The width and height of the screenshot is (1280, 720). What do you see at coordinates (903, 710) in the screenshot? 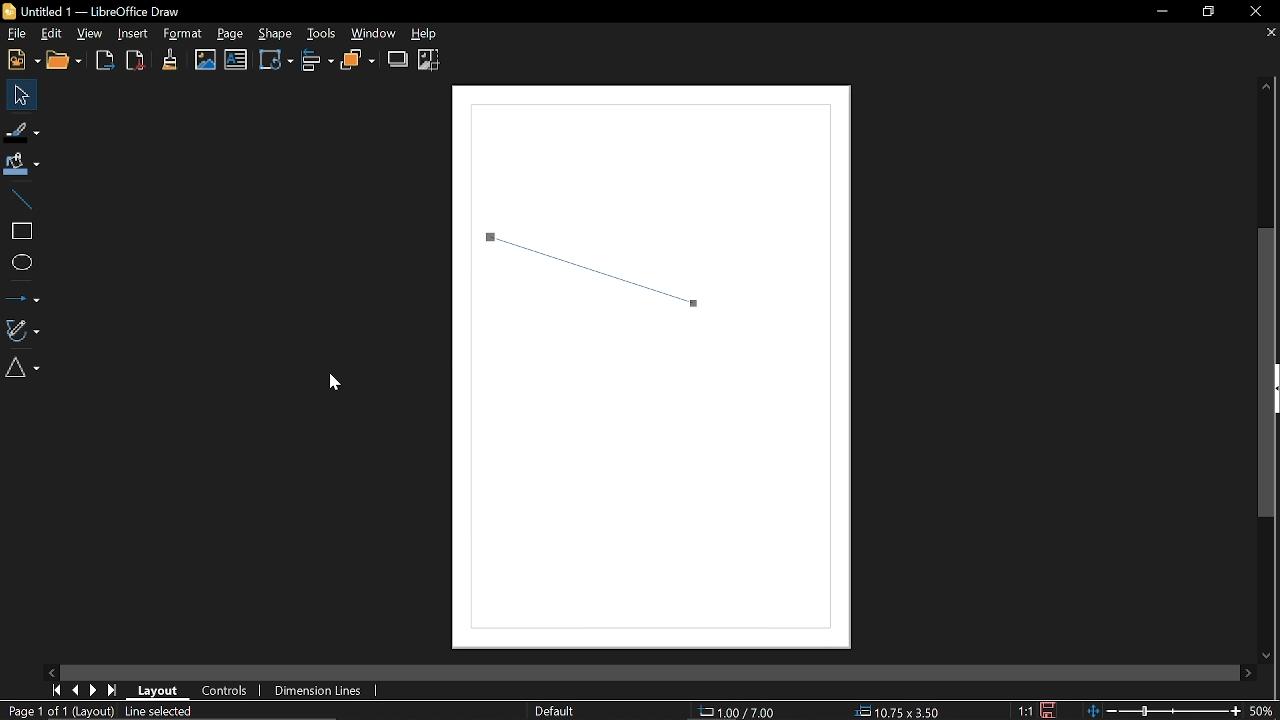
I see `Size` at bounding box center [903, 710].